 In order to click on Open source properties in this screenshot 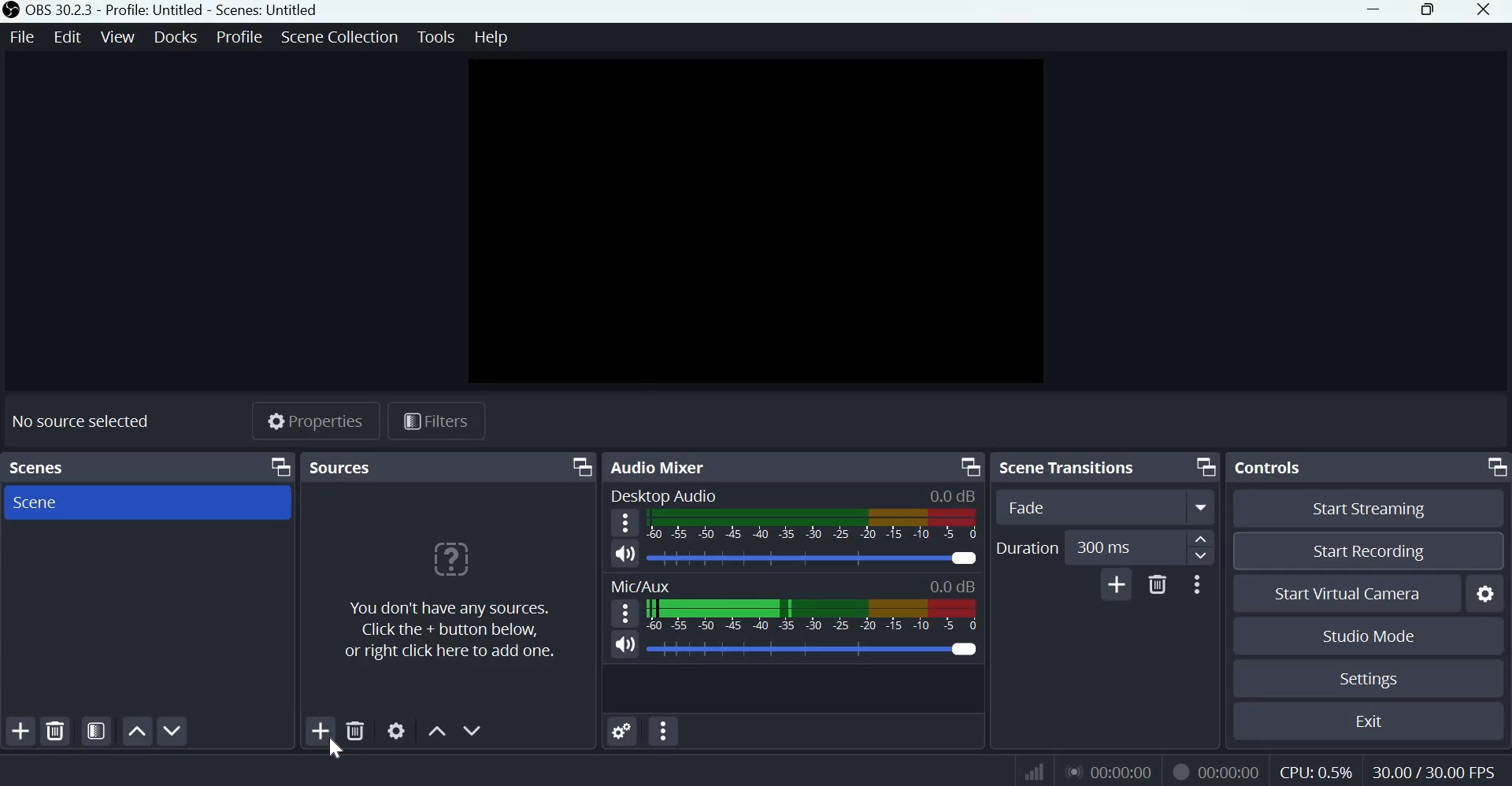, I will do `click(397, 729)`.